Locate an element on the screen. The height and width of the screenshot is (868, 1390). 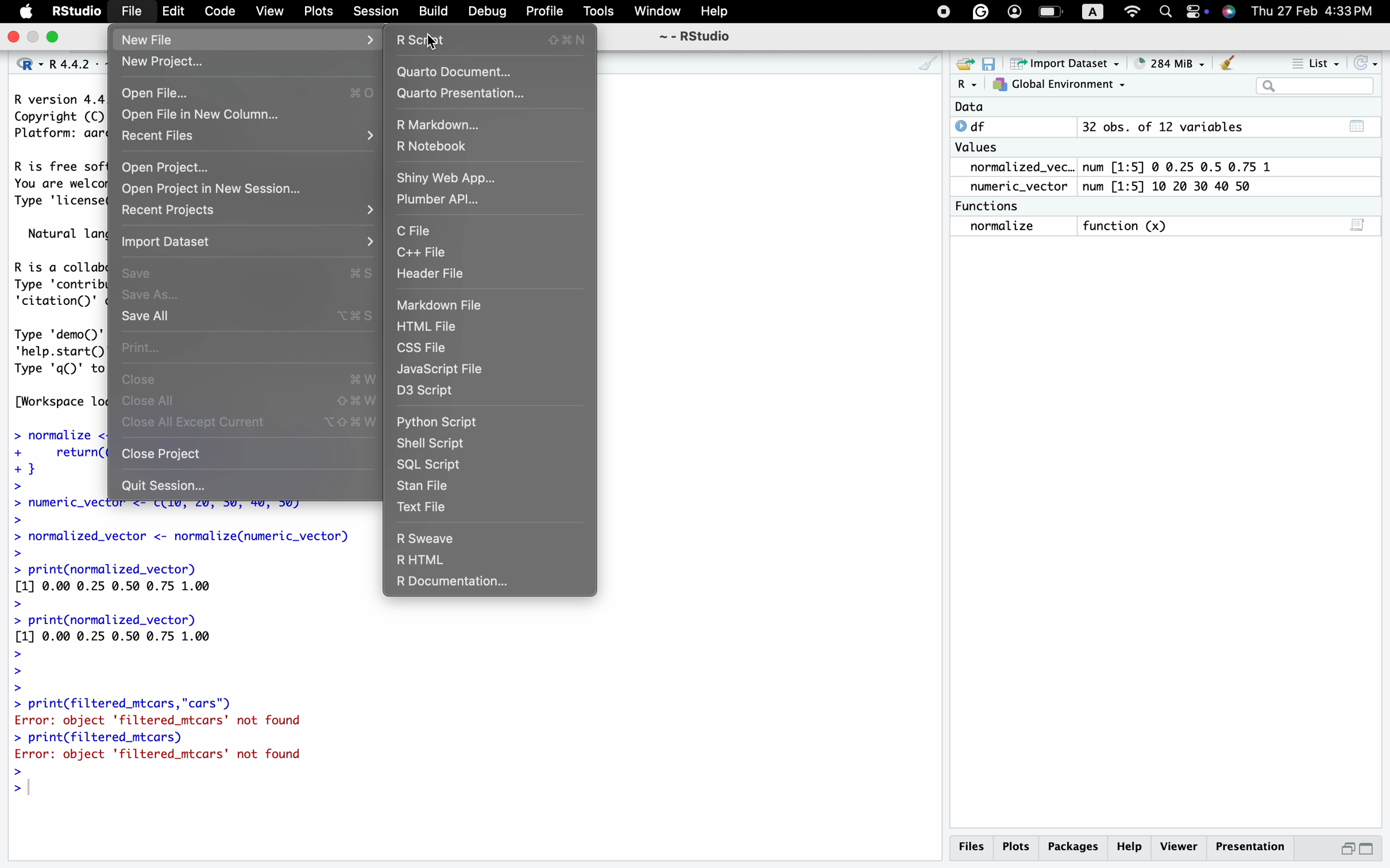
PROFILE is located at coordinates (1012, 10).